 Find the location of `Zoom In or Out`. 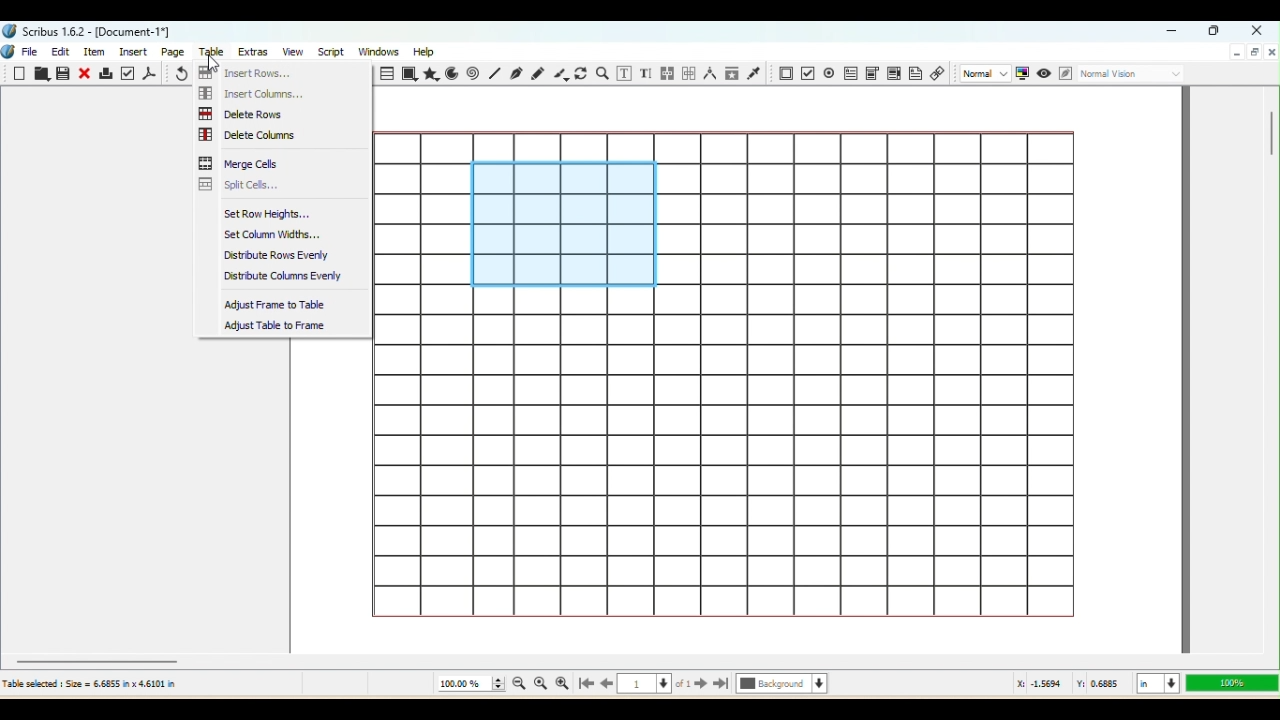

Zoom In or Out is located at coordinates (603, 72).